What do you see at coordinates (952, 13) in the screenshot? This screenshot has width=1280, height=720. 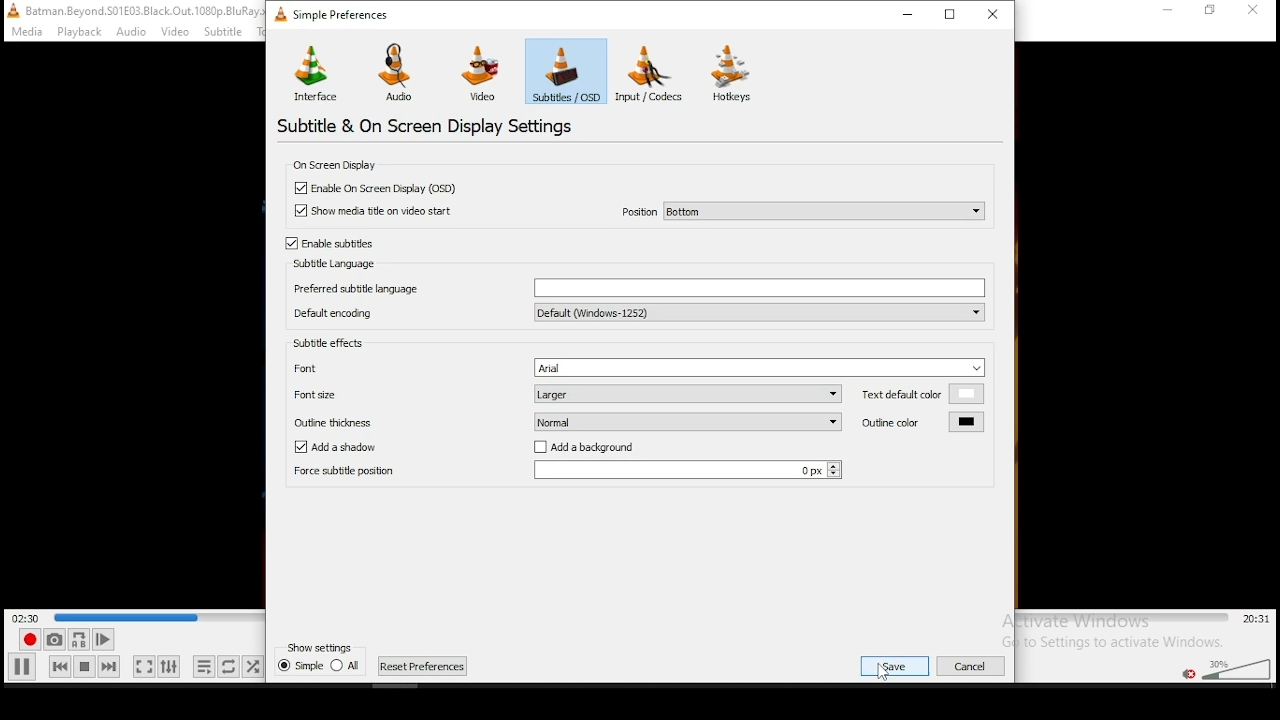 I see `restore` at bounding box center [952, 13].